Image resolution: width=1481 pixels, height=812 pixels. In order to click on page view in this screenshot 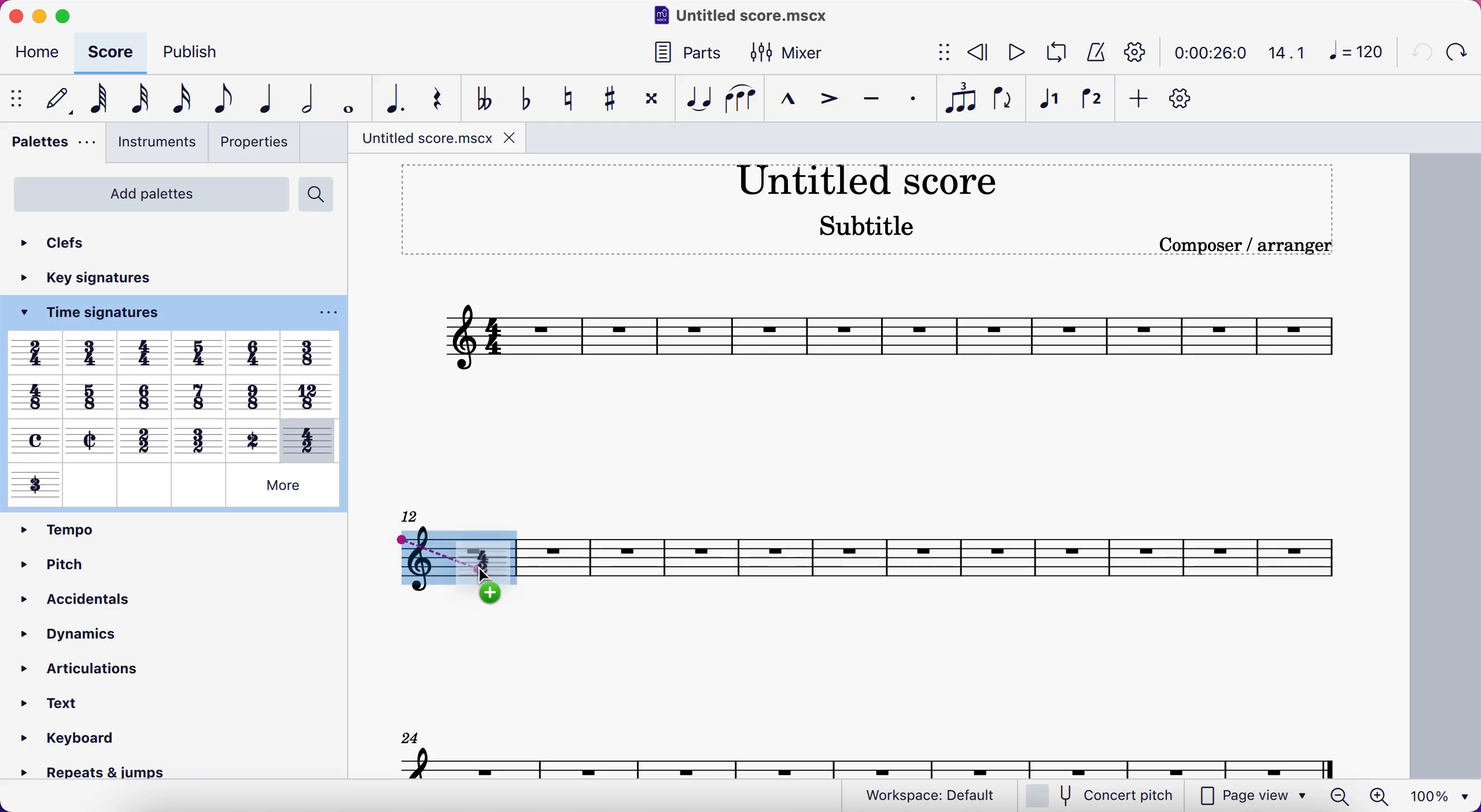, I will do `click(1213, 795)`.